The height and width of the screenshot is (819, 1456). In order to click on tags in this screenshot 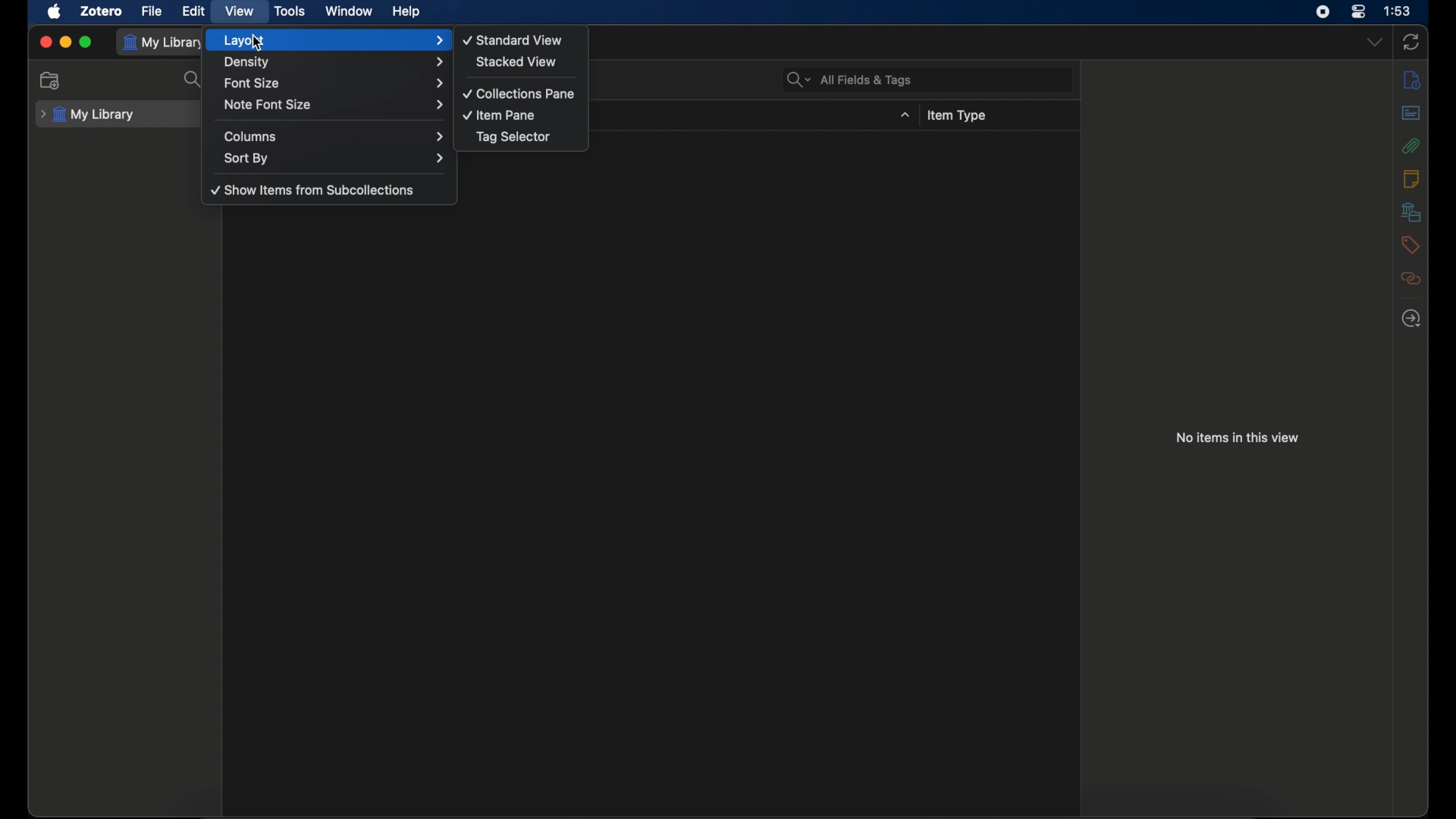, I will do `click(1410, 245)`.